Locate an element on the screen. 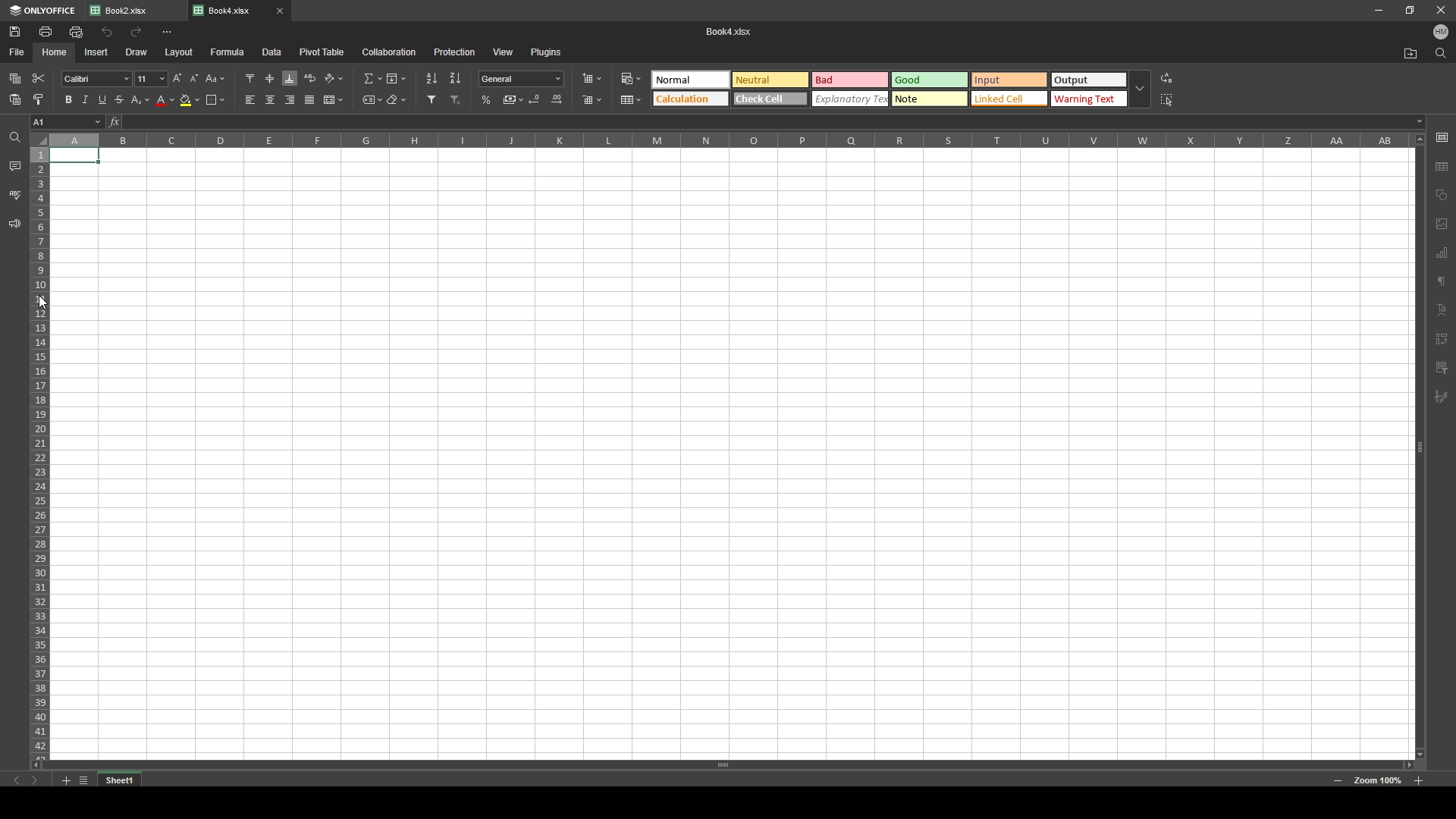  Check cell is located at coordinates (770, 98).